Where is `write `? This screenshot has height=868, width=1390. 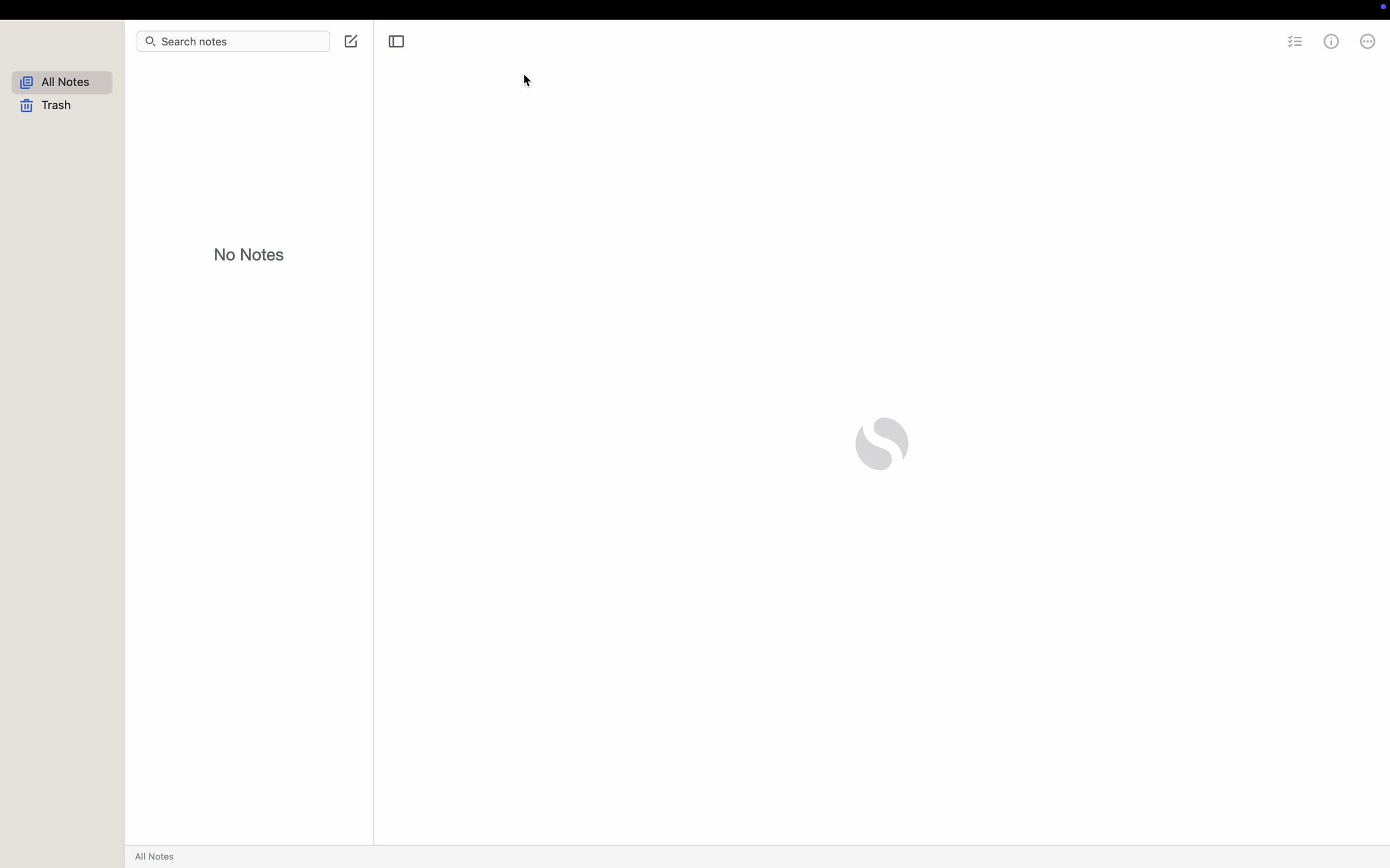 write  is located at coordinates (348, 40).